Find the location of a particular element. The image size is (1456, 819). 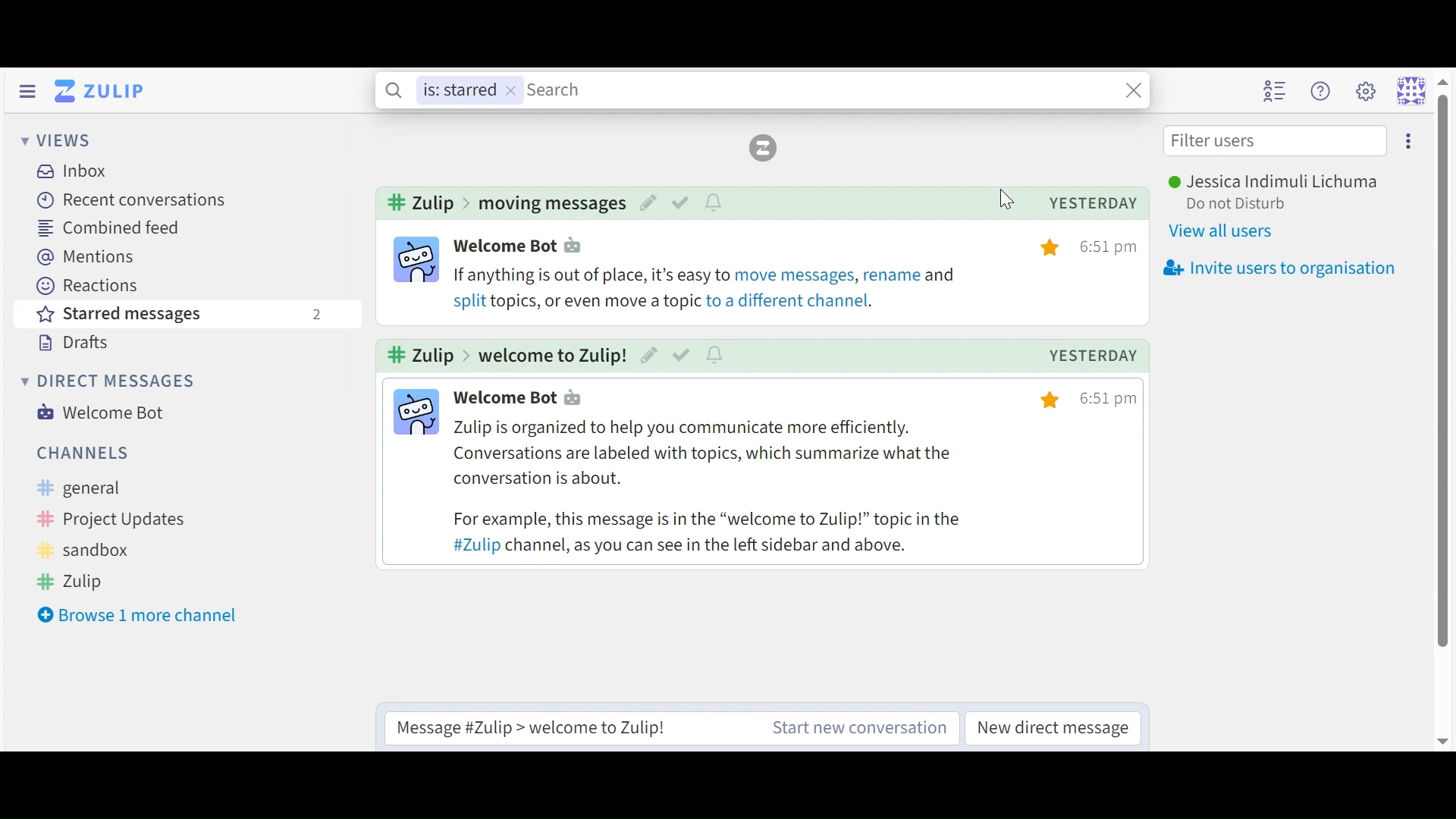

edit is located at coordinates (651, 356).